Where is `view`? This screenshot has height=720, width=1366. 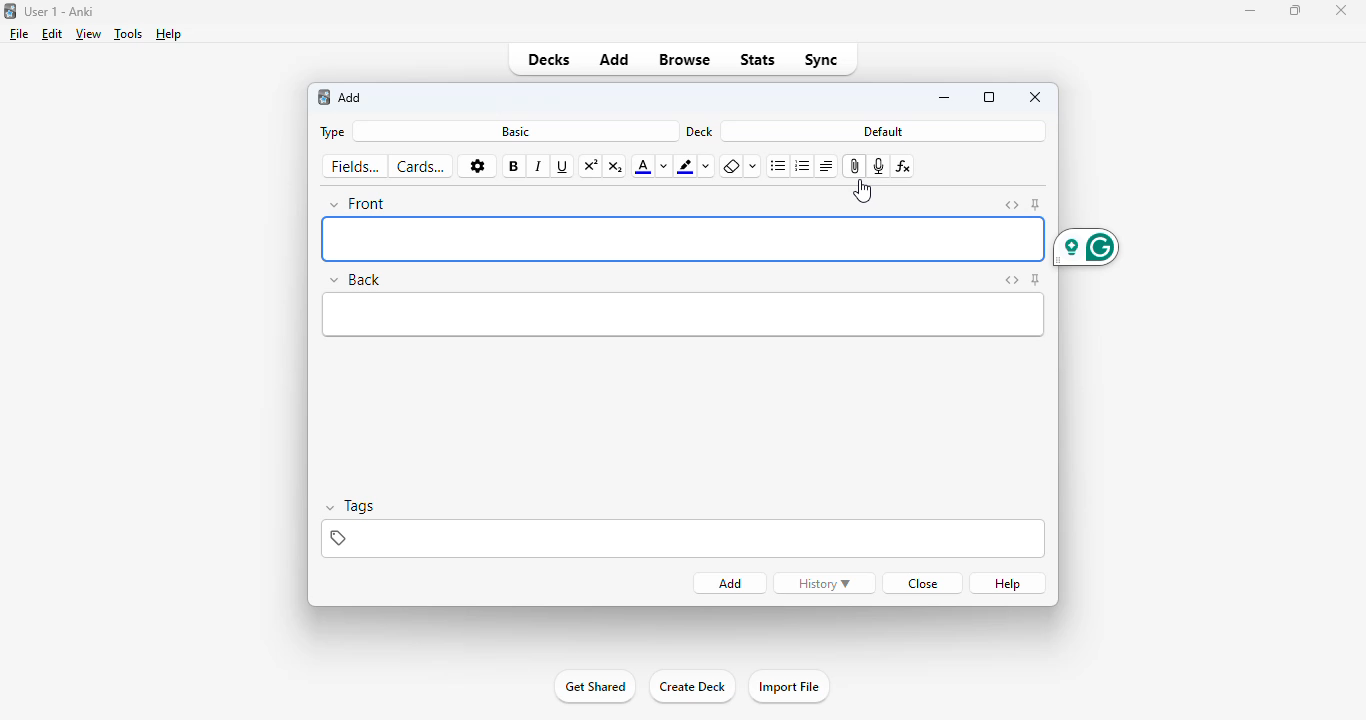 view is located at coordinates (89, 34).